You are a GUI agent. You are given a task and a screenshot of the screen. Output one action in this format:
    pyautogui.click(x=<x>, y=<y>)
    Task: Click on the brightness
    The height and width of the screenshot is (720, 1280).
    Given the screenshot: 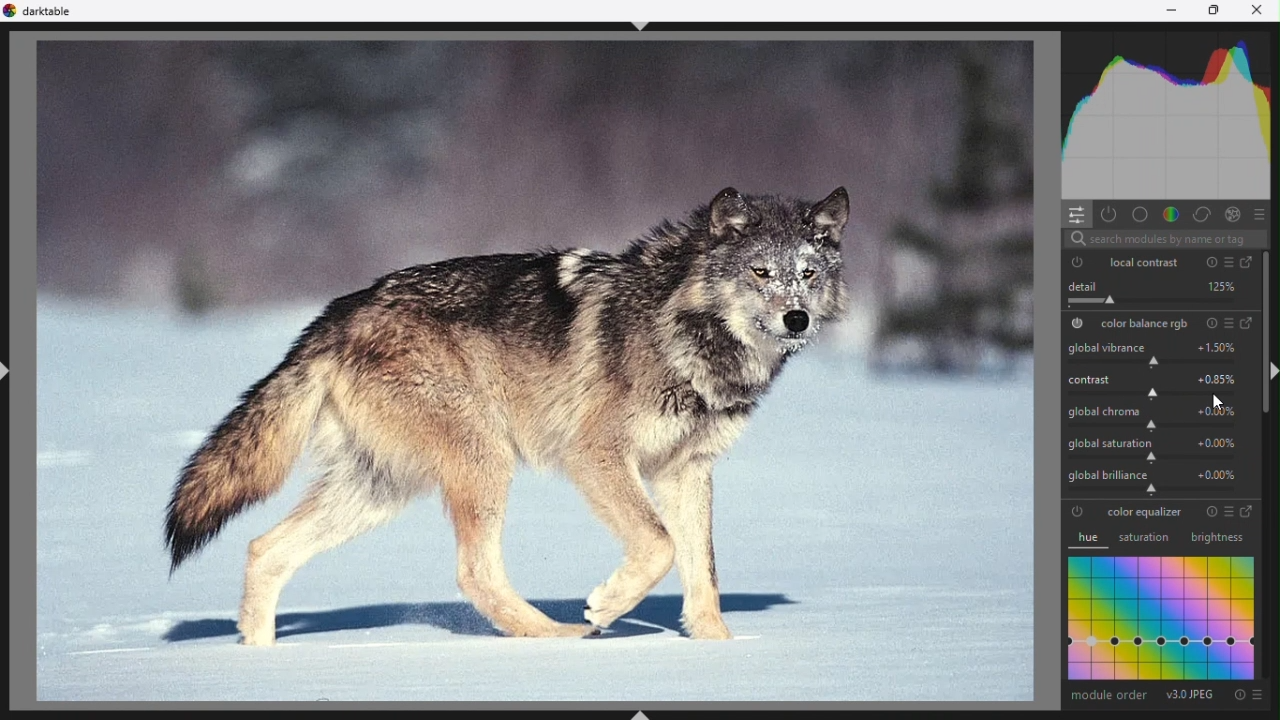 What is the action you would take?
    pyautogui.click(x=1216, y=538)
    